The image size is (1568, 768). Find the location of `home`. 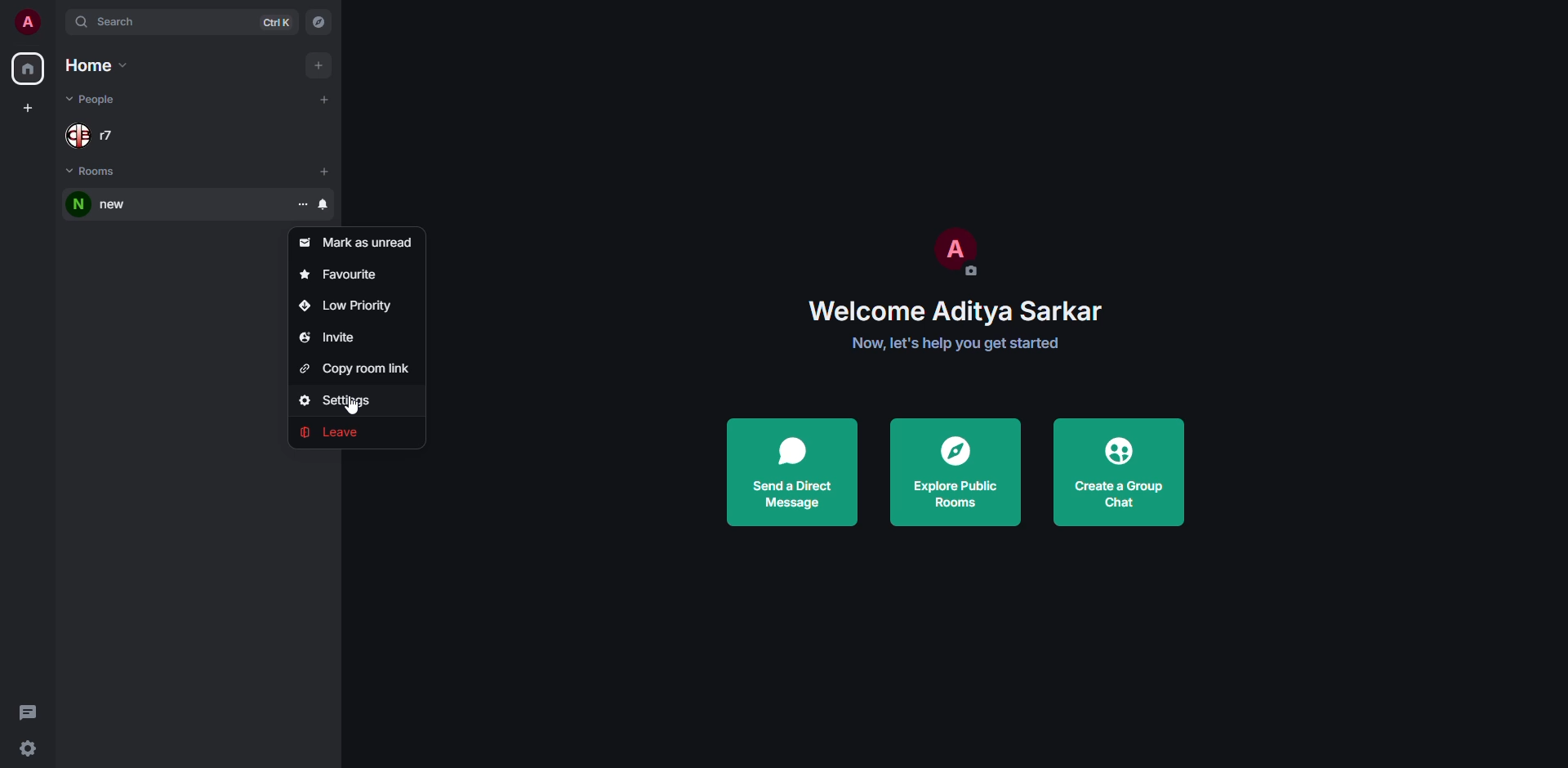

home is located at coordinates (105, 65).